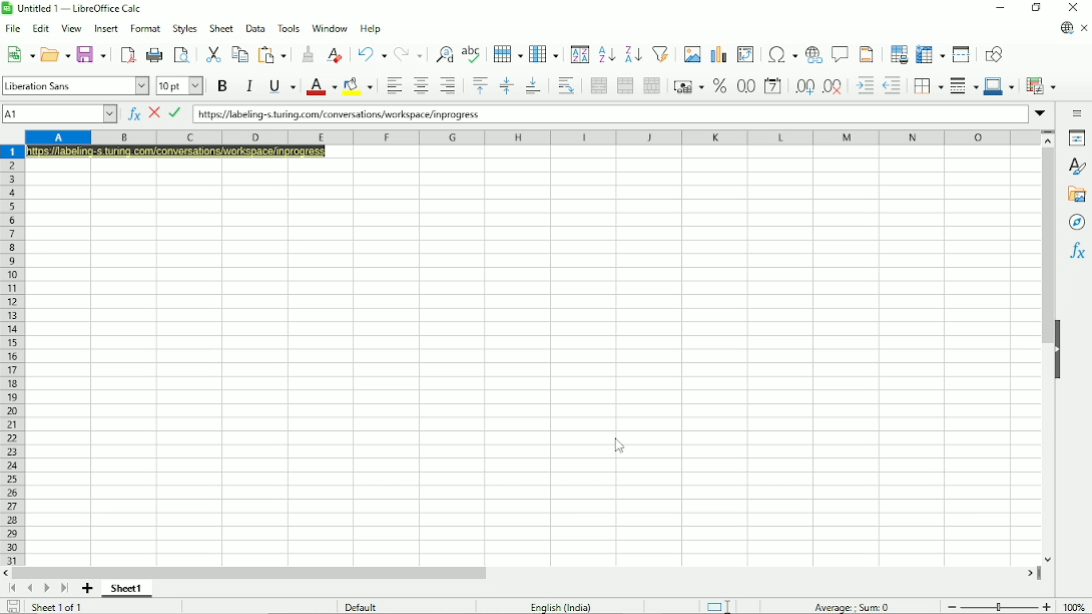  Describe the element at coordinates (1079, 111) in the screenshot. I see `Sidebar settings` at that location.